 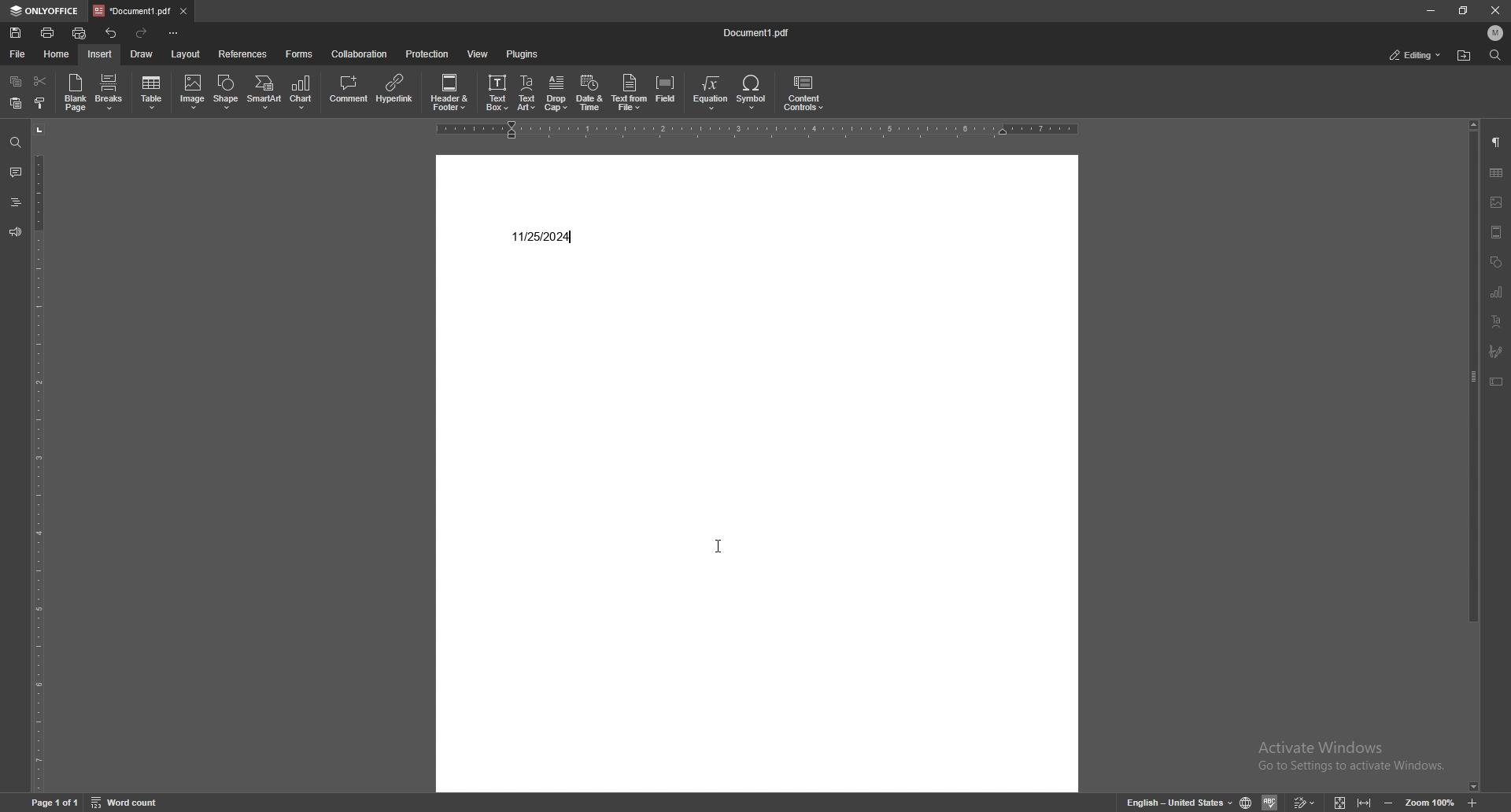 I want to click on track changes, so click(x=1303, y=801).